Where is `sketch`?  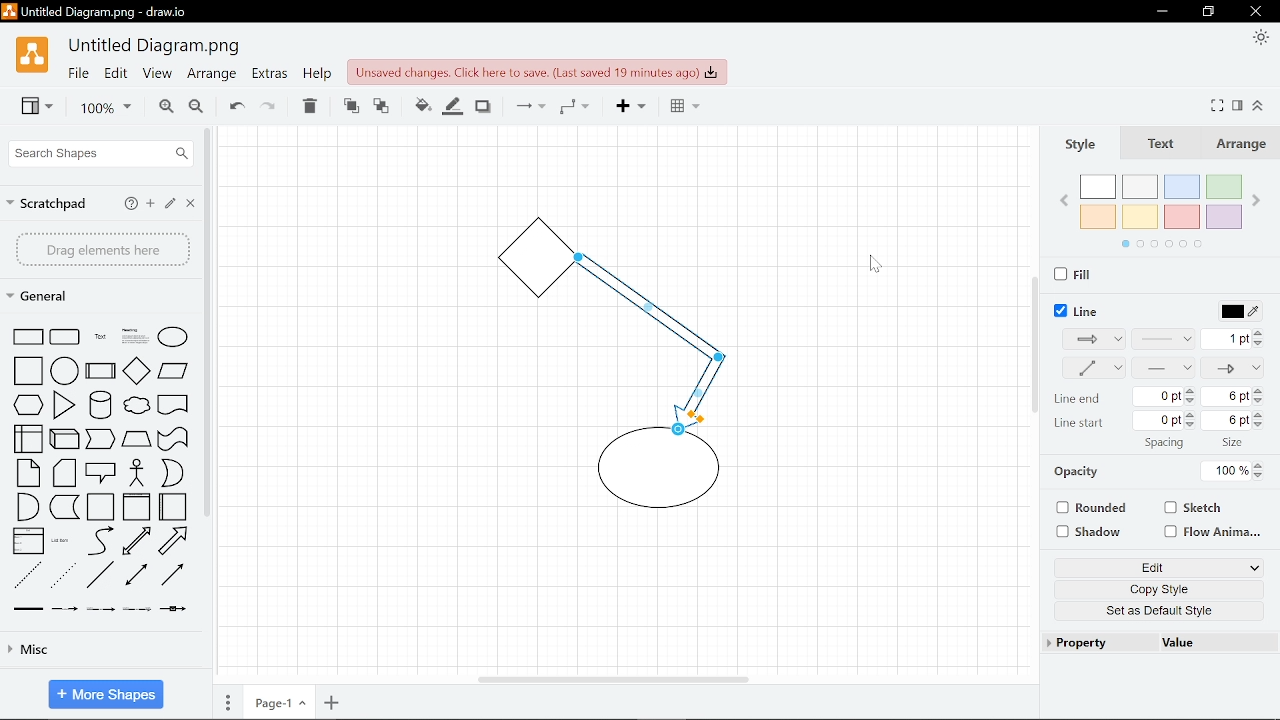
sketch is located at coordinates (1193, 509).